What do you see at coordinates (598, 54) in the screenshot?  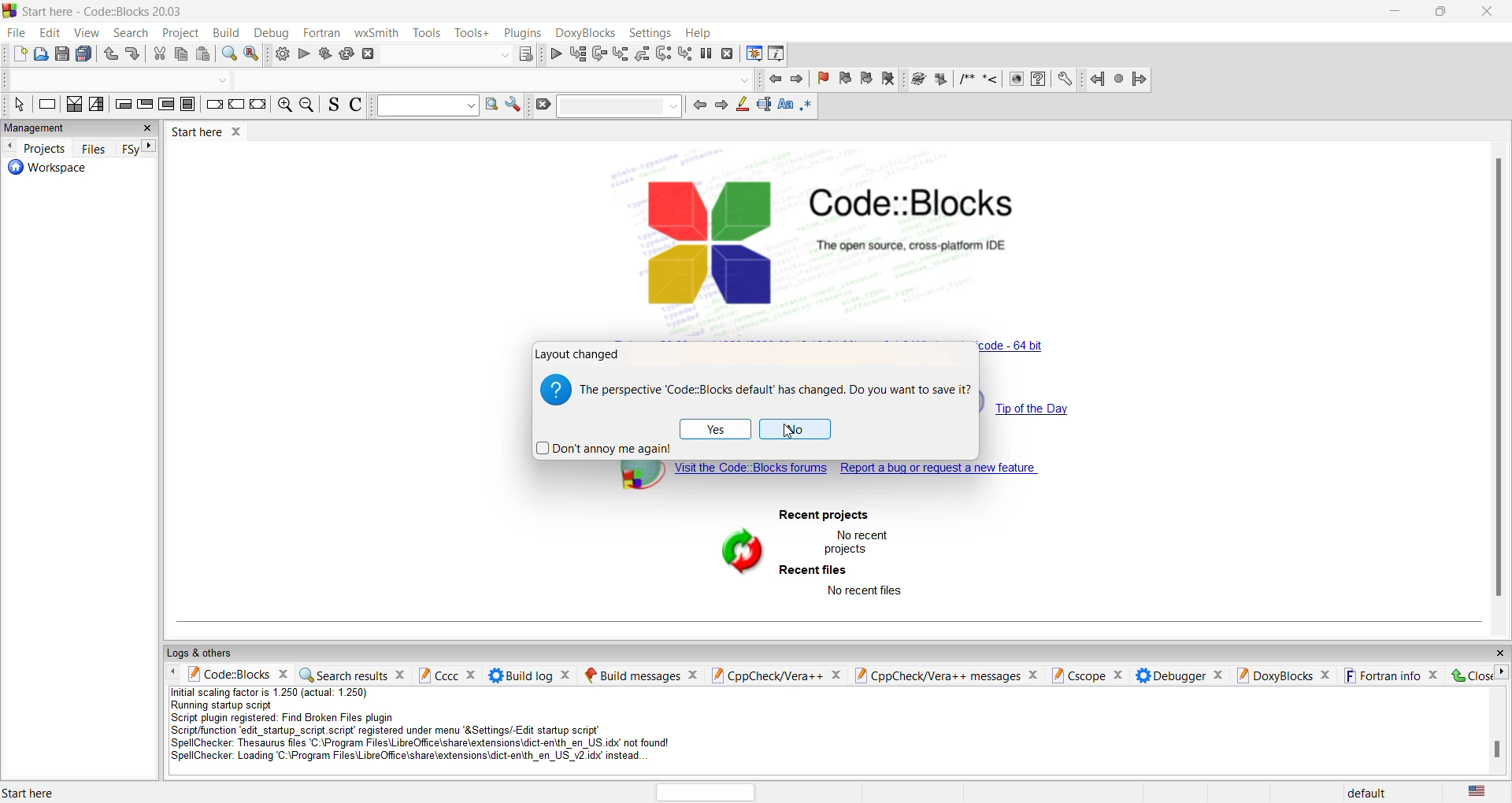 I see `step into` at bounding box center [598, 54].